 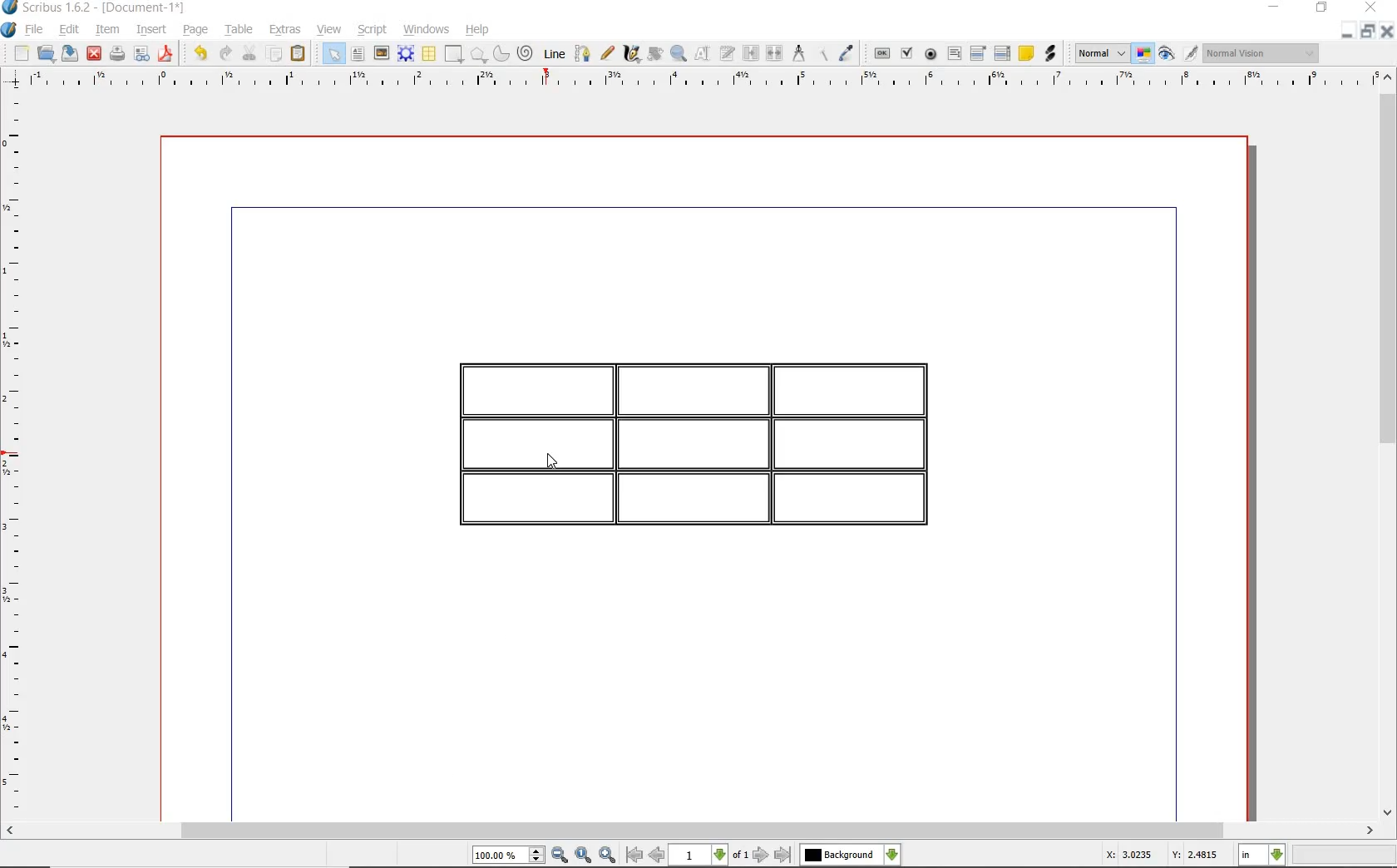 I want to click on select item, so click(x=332, y=53).